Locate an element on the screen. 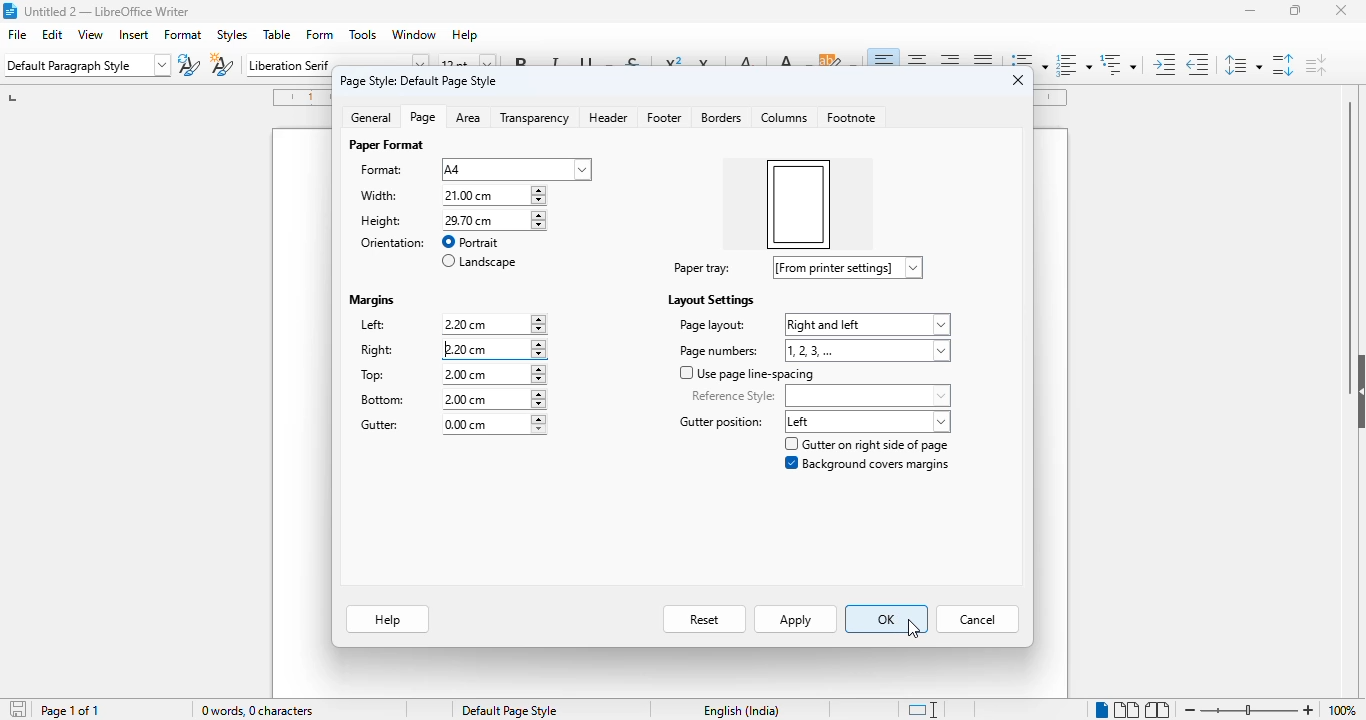 The width and height of the screenshot is (1366, 720). page 1 of 1 is located at coordinates (70, 710).